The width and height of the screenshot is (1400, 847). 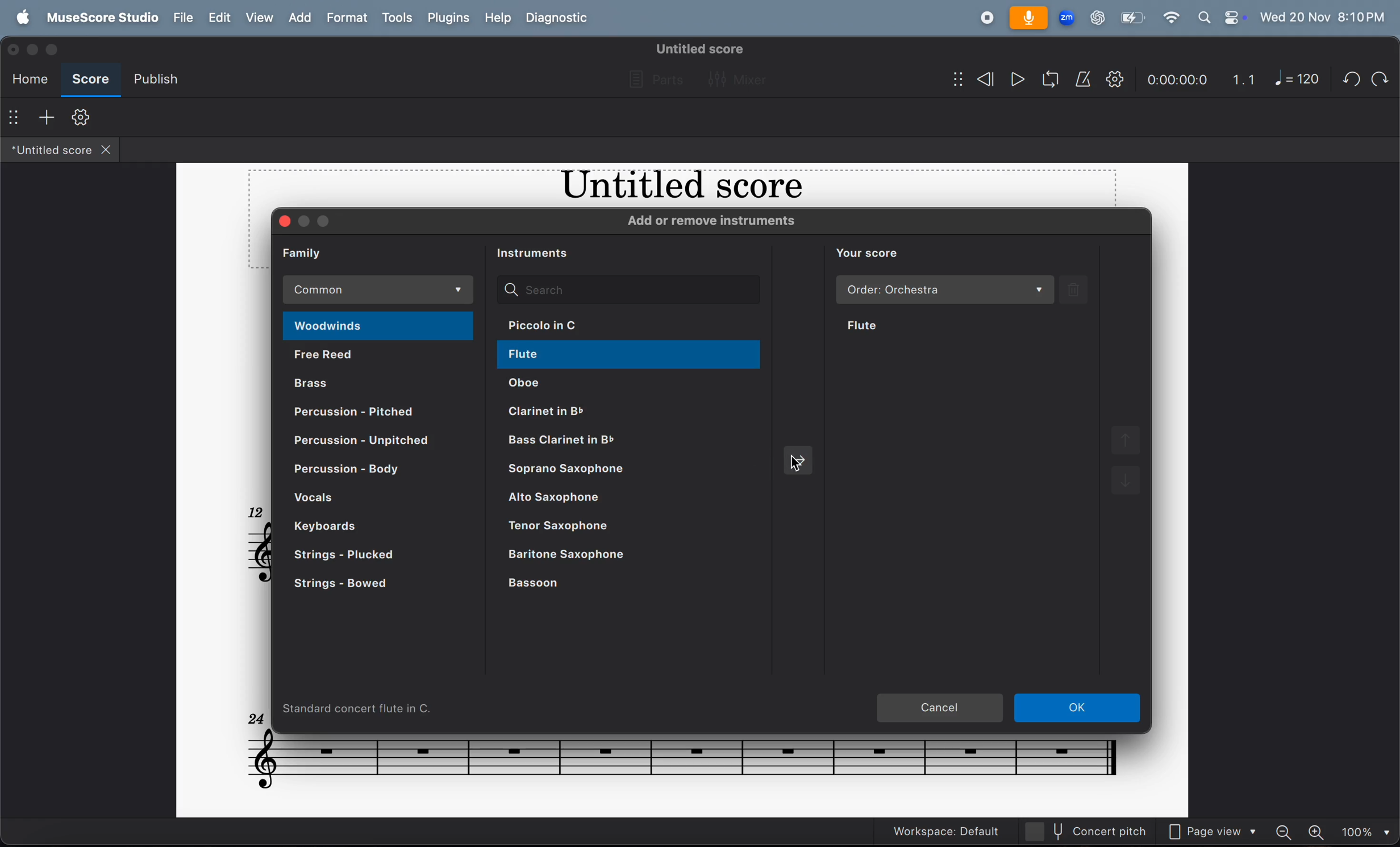 I want to click on keyboard, so click(x=354, y=526).